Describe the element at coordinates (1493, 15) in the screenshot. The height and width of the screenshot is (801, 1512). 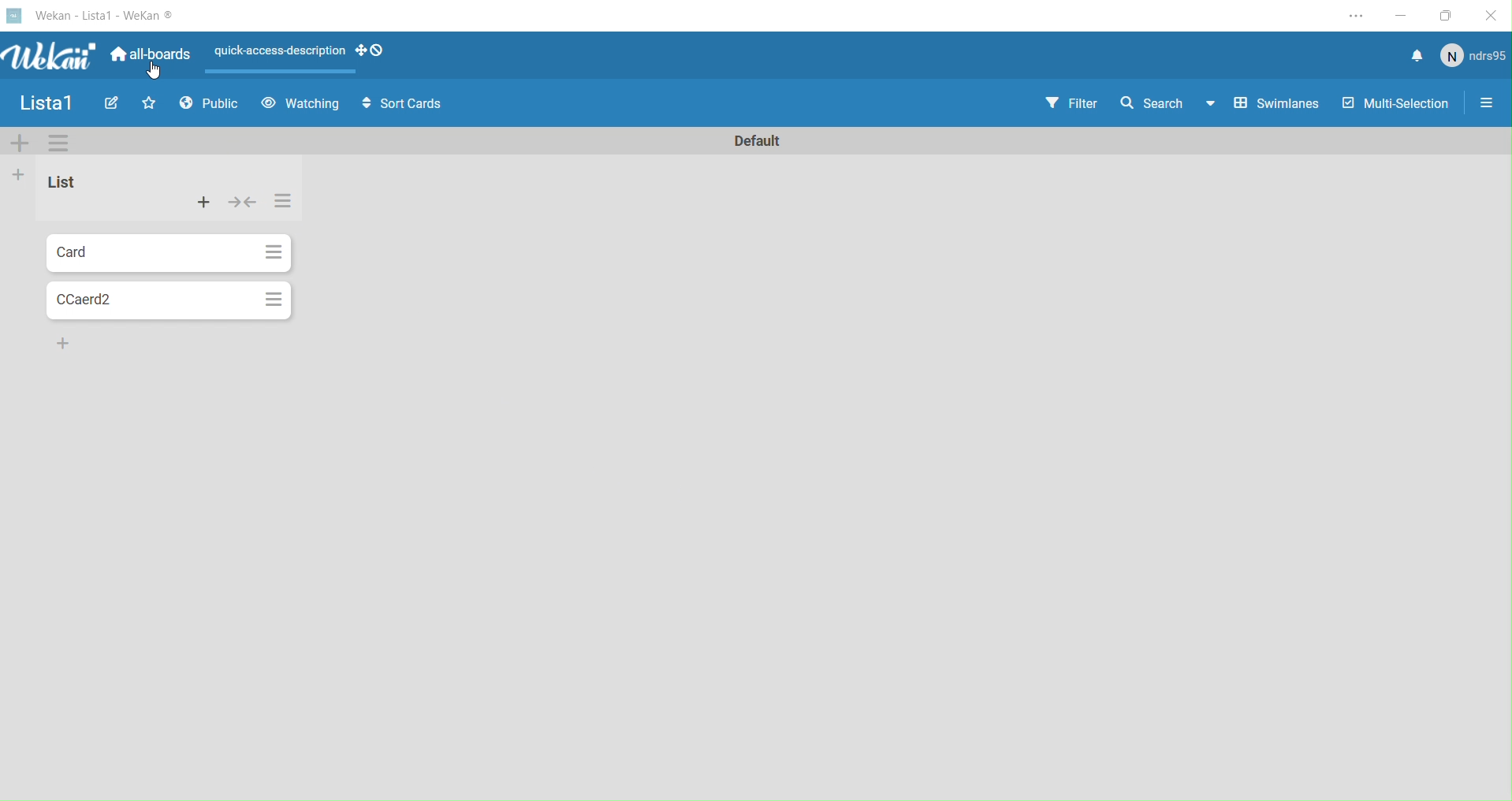
I see `Close` at that location.